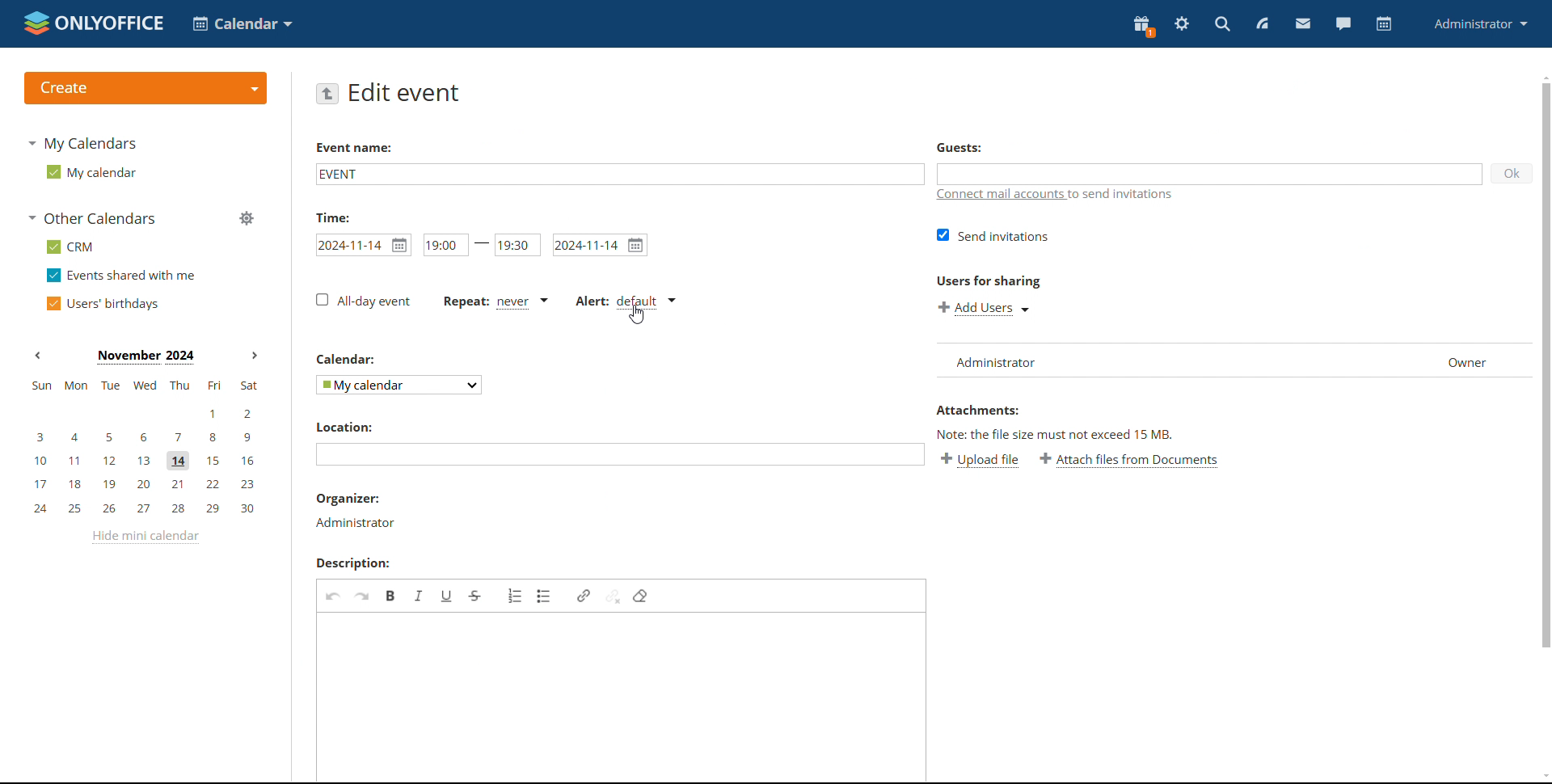 This screenshot has height=784, width=1552. I want to click on add event name, so click(618, 173).